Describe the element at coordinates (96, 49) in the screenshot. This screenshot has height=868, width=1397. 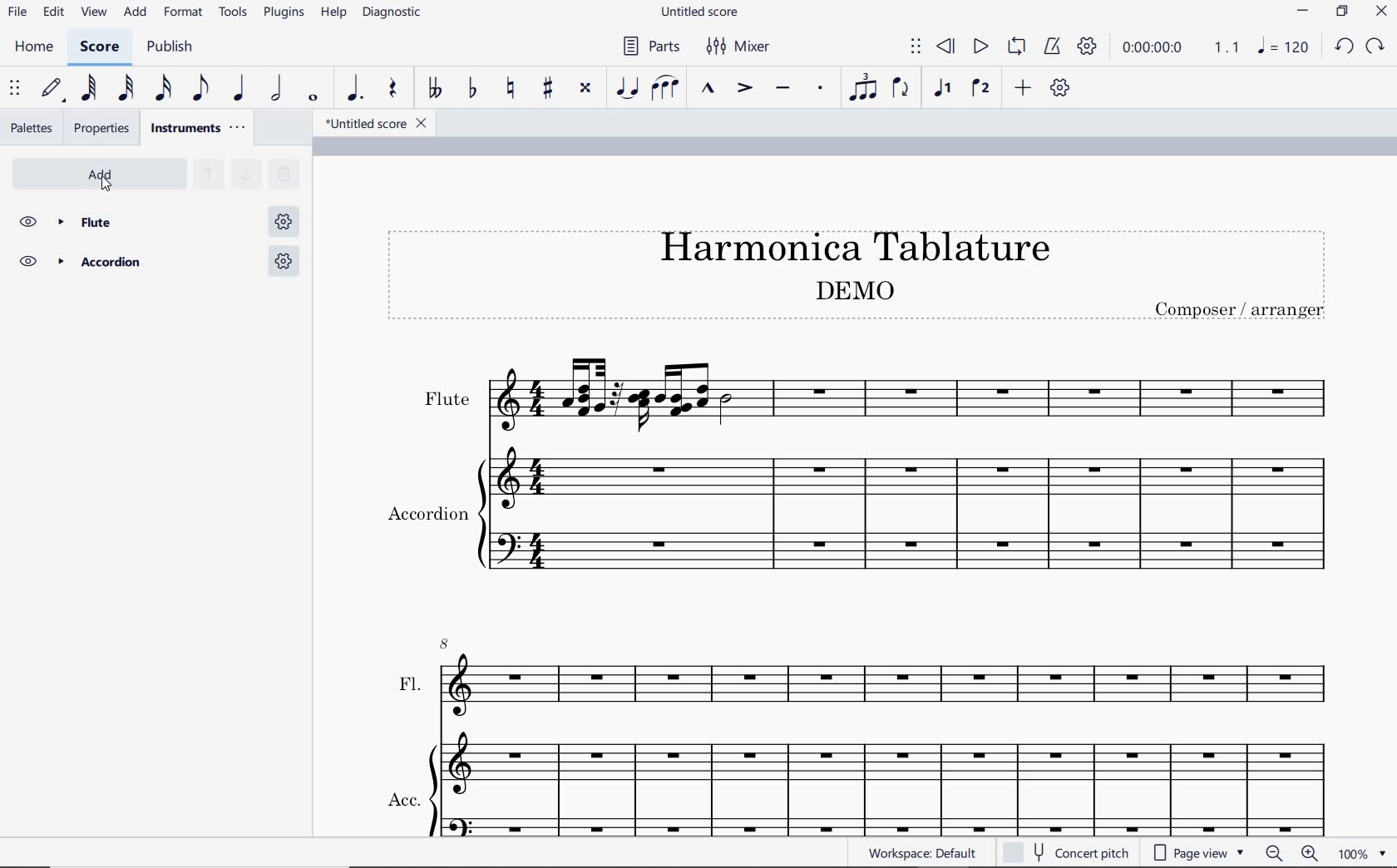
I see `SCORE` at that location.